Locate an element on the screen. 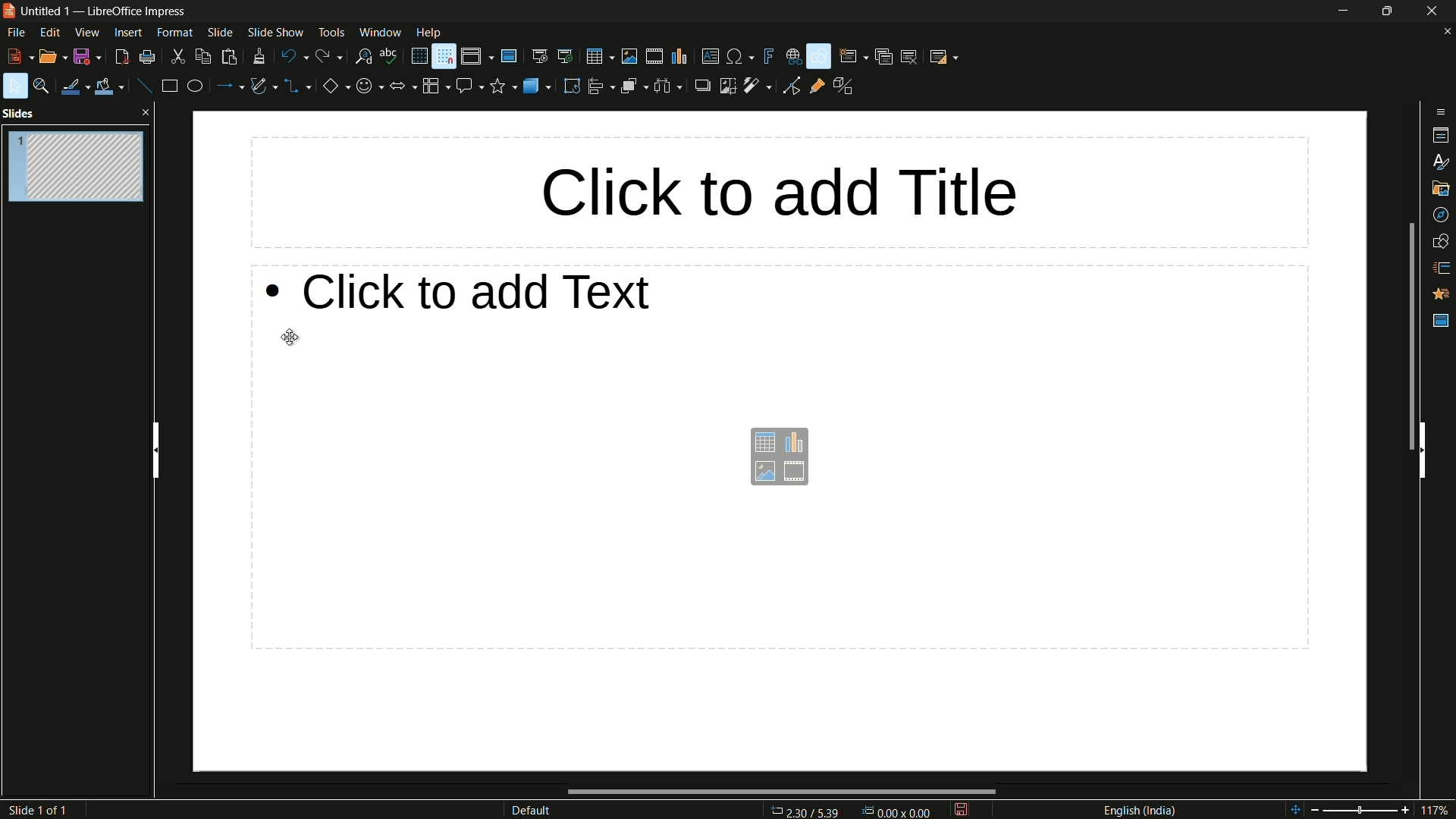  click to add title is located at coordinates (786, 188).